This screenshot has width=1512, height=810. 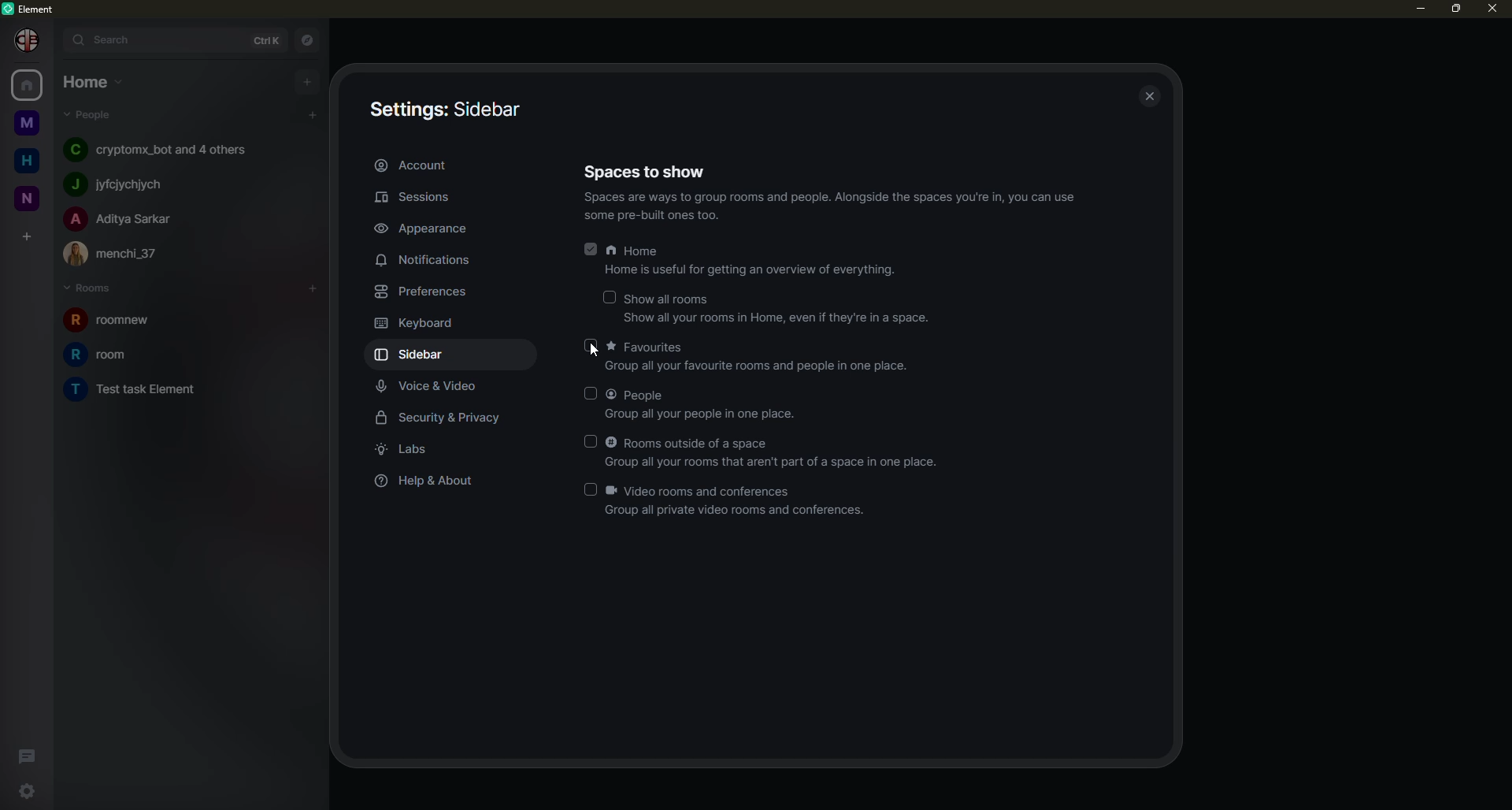 I want to click on security & privacy, so click(x=445, y=421).